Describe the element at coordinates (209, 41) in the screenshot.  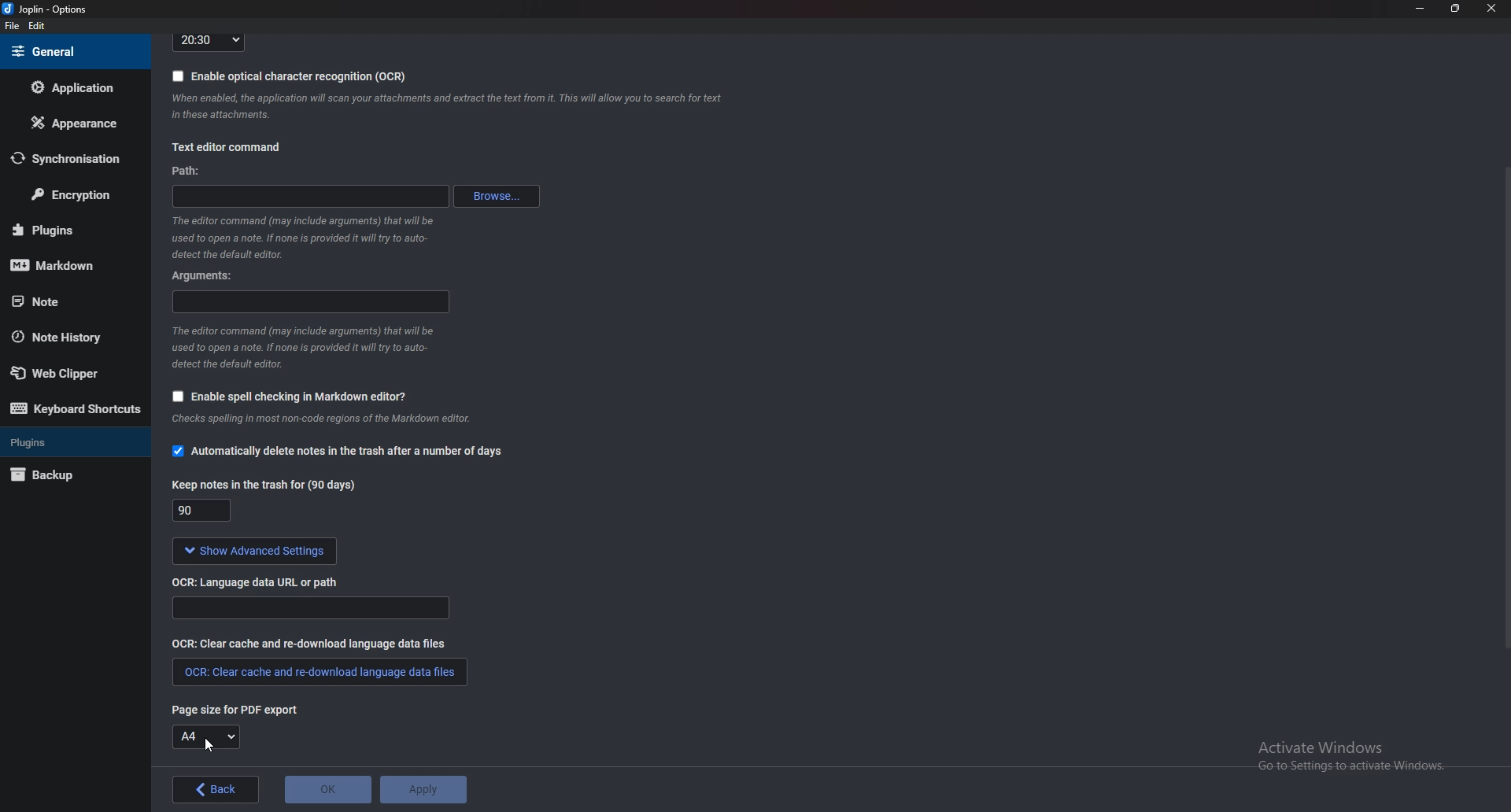
I see `Time format` at that location.